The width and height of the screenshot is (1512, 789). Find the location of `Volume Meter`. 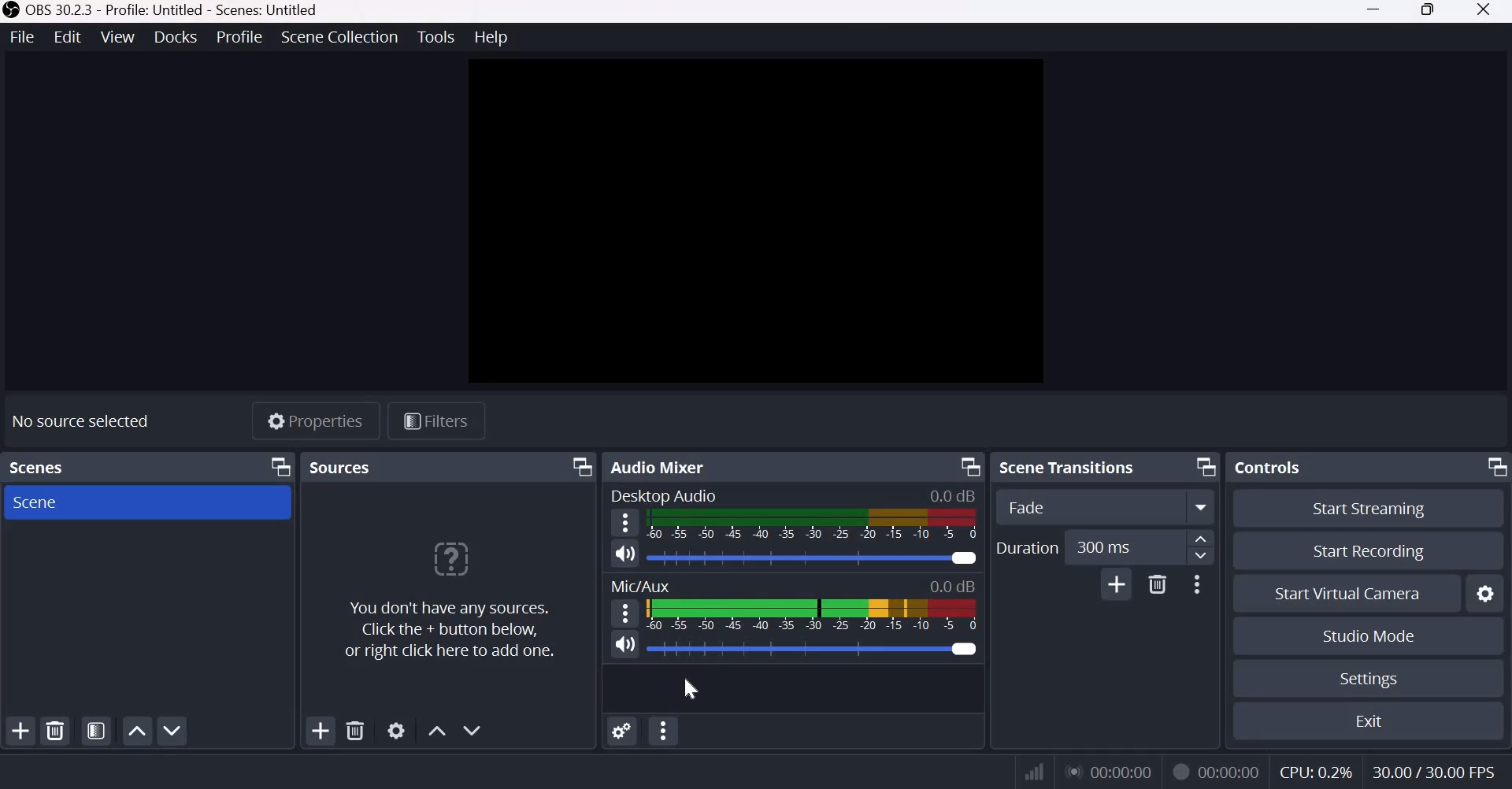

Volume Meter is located at coordinates (812, 615).